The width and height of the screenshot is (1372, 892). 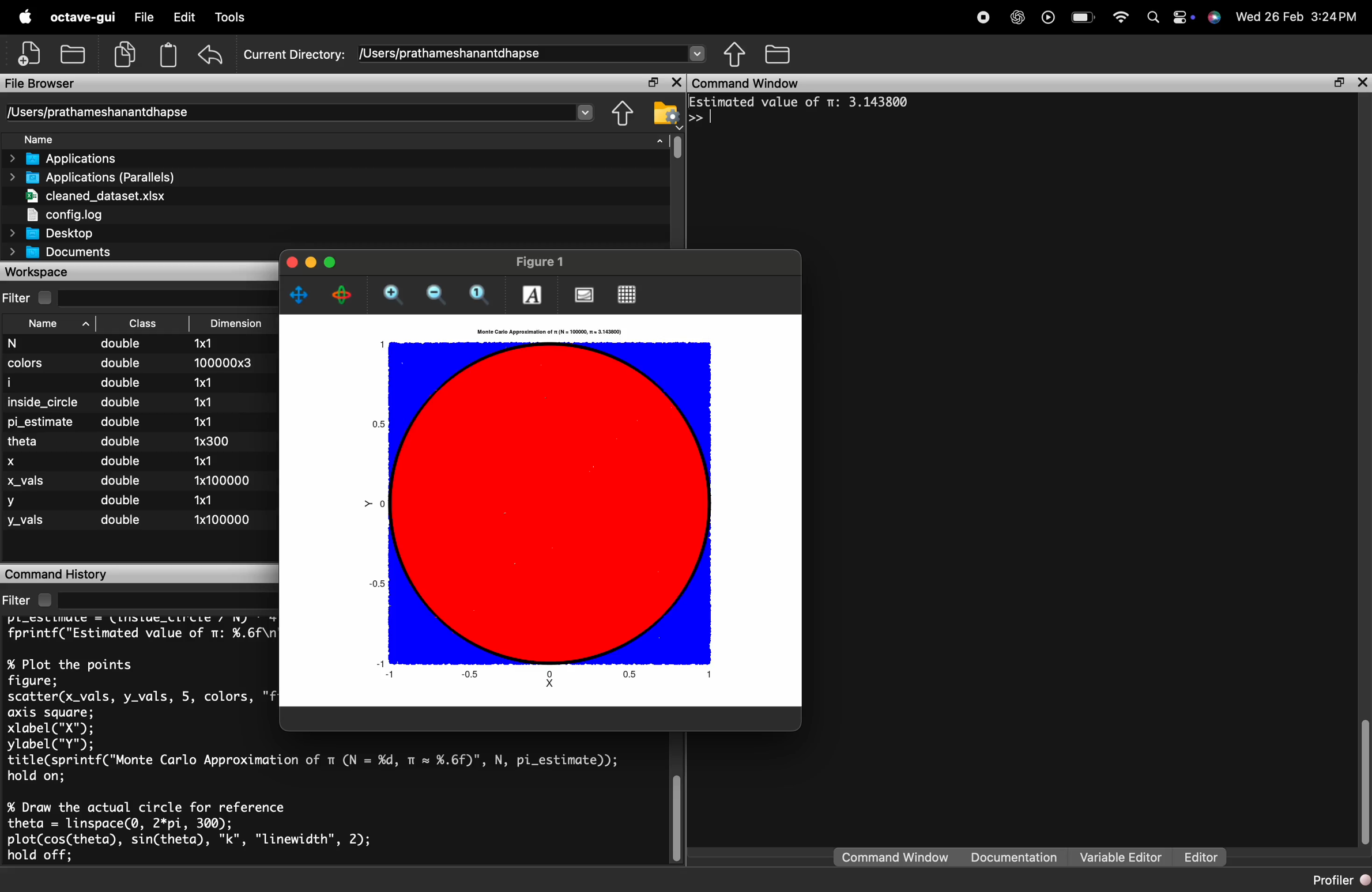 I want to click on Figure 1, so click(x=539, y=260).